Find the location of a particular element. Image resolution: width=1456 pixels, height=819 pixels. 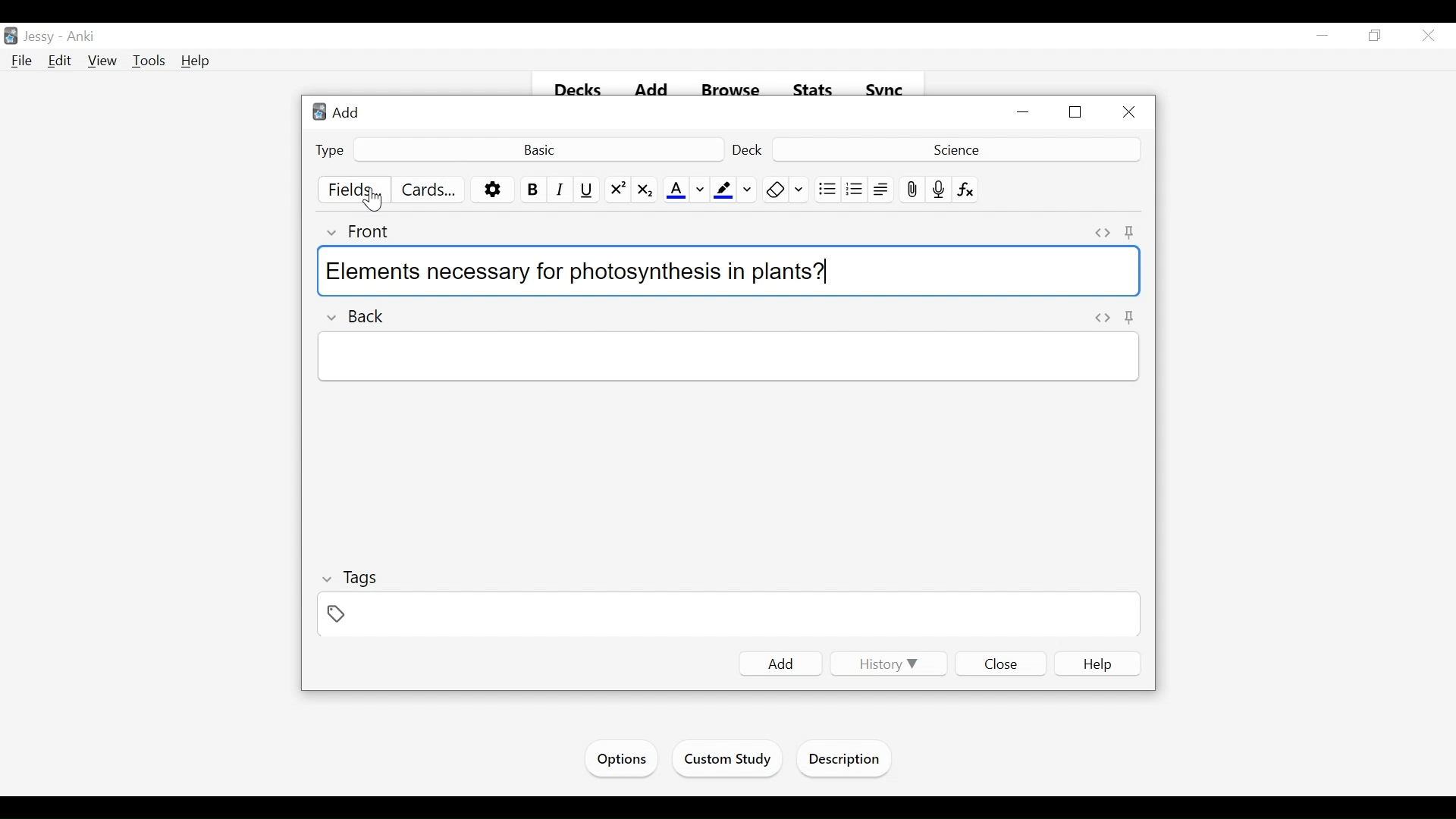

Stats is located at coordinates (814, 90).